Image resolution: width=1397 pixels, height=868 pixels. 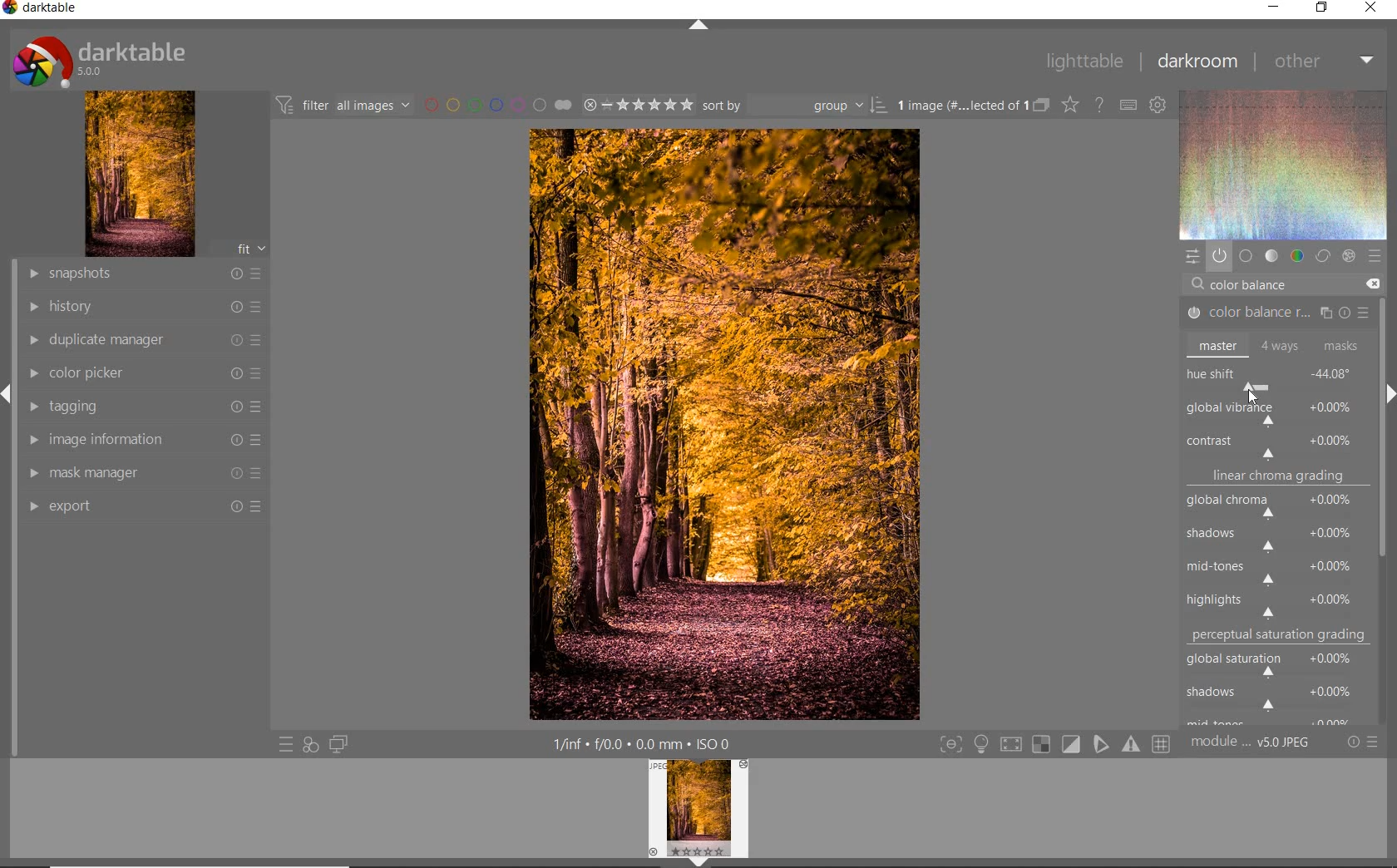 I want to click on display a second darkroom image window, so click(x=335, y=744).